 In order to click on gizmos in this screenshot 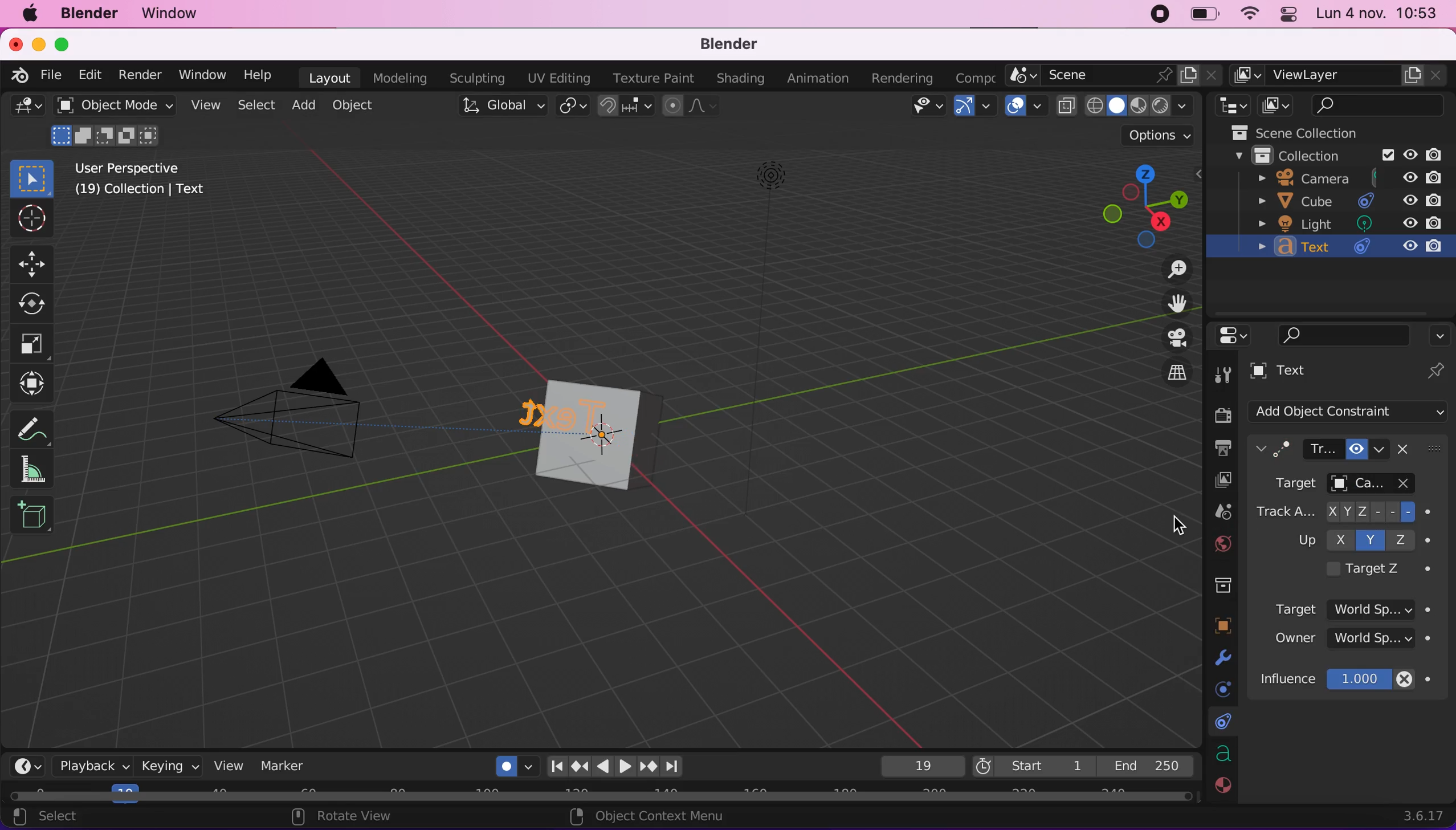, I will do `click(974, 107)`.